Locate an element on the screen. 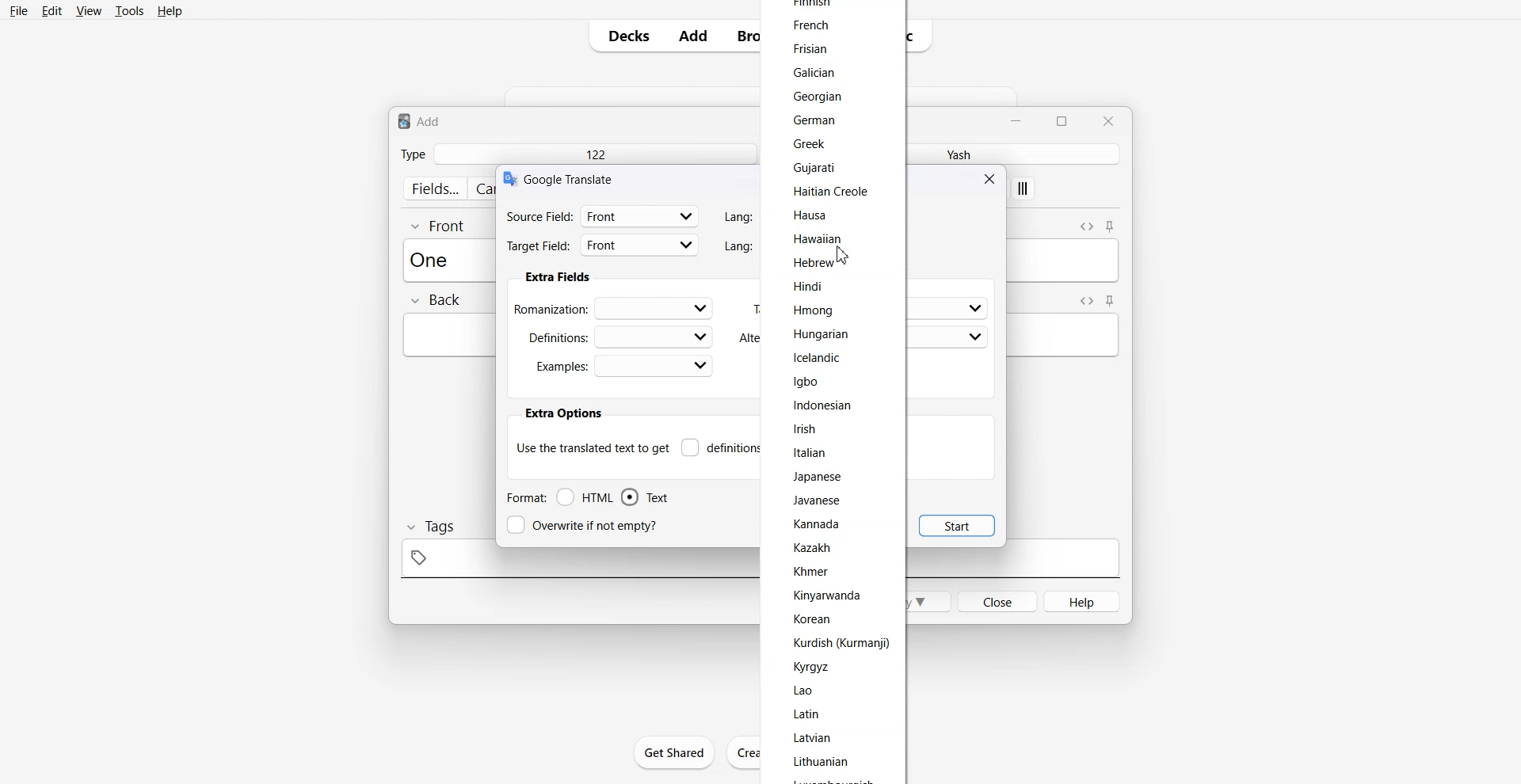 This screenshot has width=1521, height=784. Type is located at coordinates (413, 154).